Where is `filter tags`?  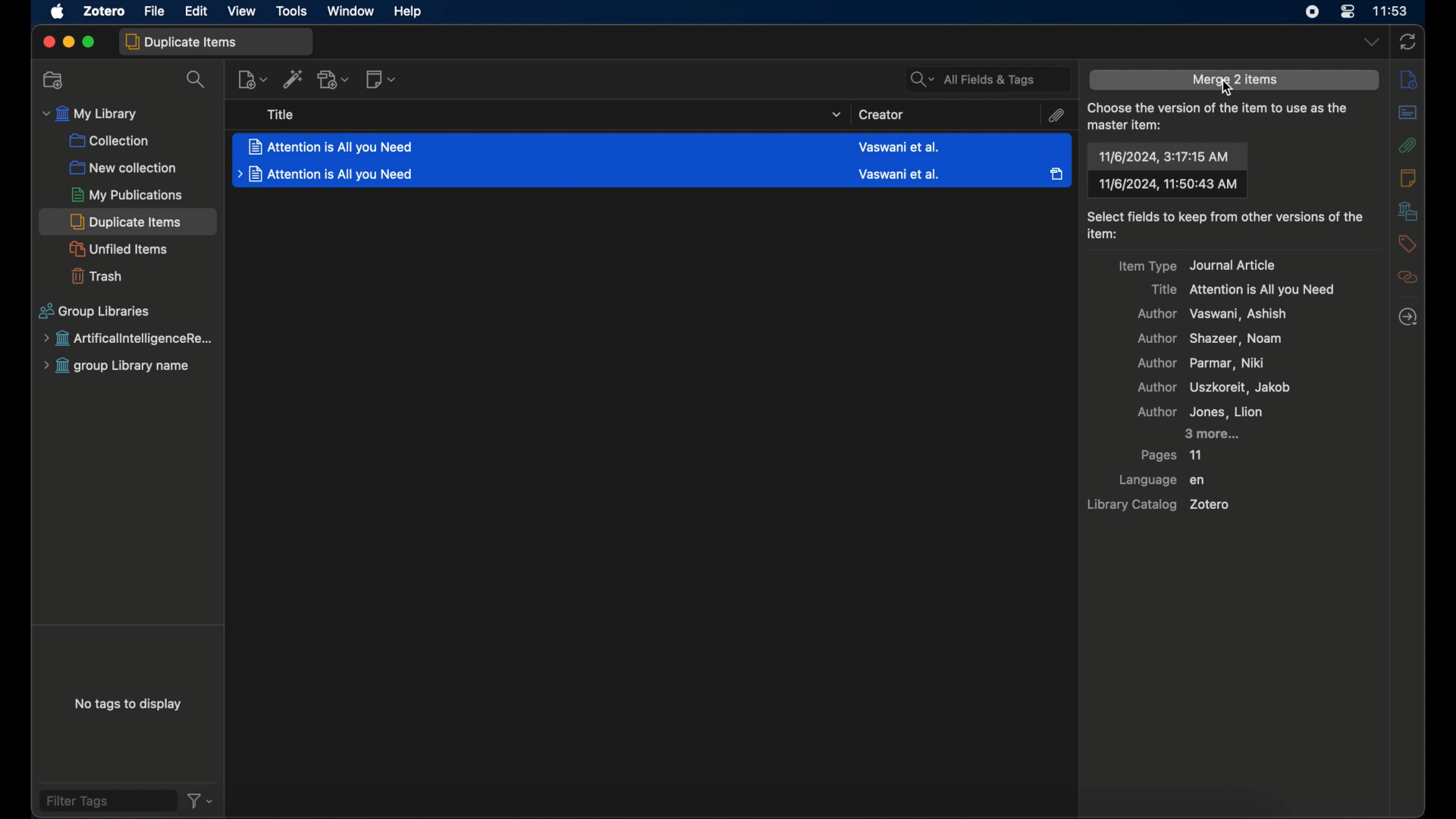 filter tags is located at coordinates (105, 801).